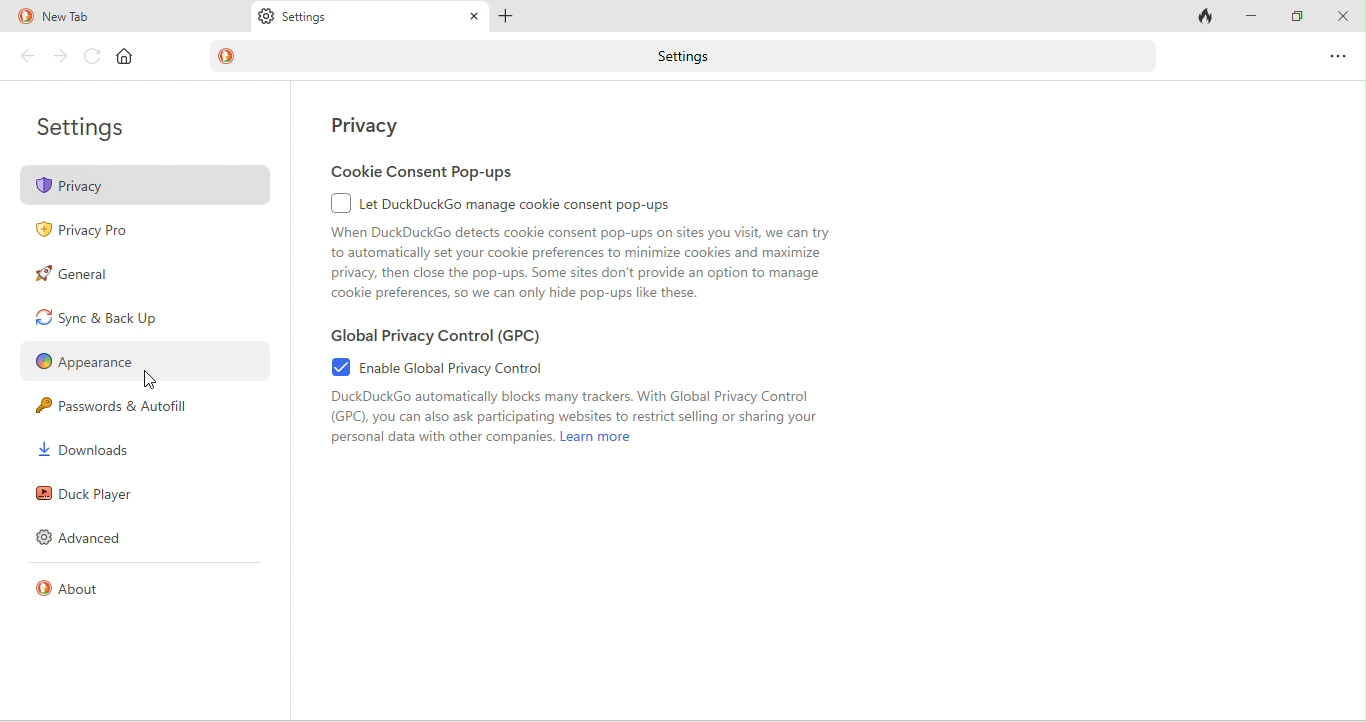  What do you see at coordinates (84, 450) in the screenshot?
I see `downloads` at bounding box center [84, 450].